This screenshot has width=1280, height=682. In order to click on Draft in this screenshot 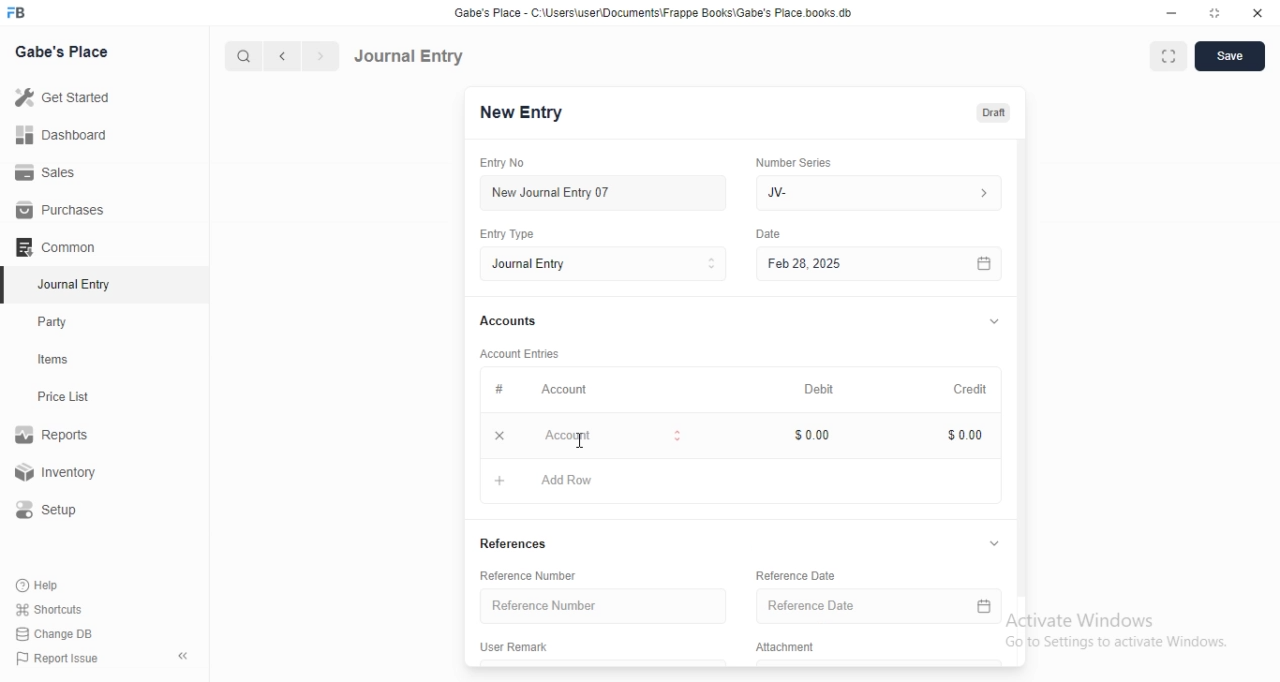, I will do `click(993, 113)`.